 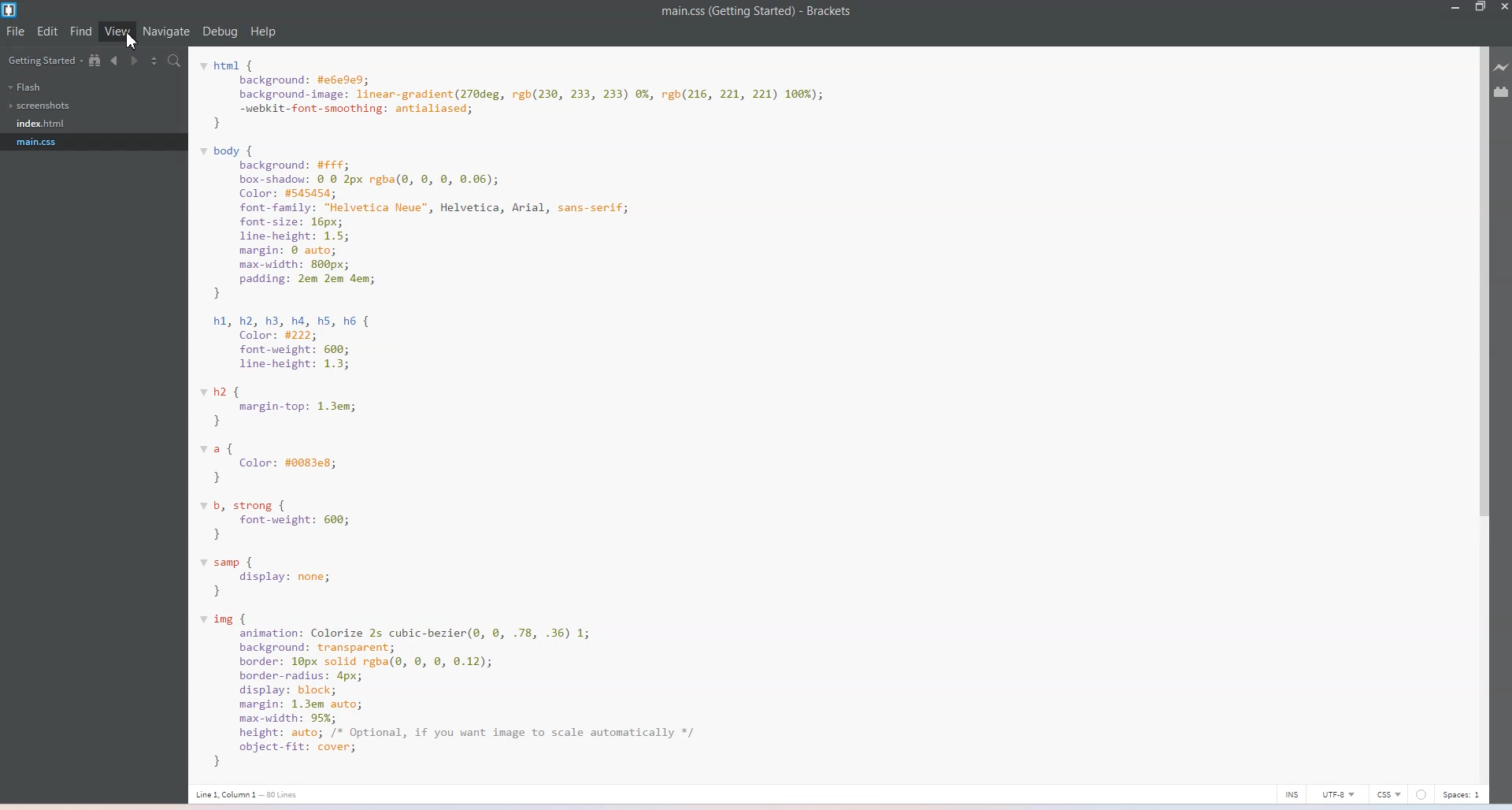 What do you see at coordinates (1291, 794) in the screenshot?
I see `click to toggle cursor` at bounding box center [1291, 794].